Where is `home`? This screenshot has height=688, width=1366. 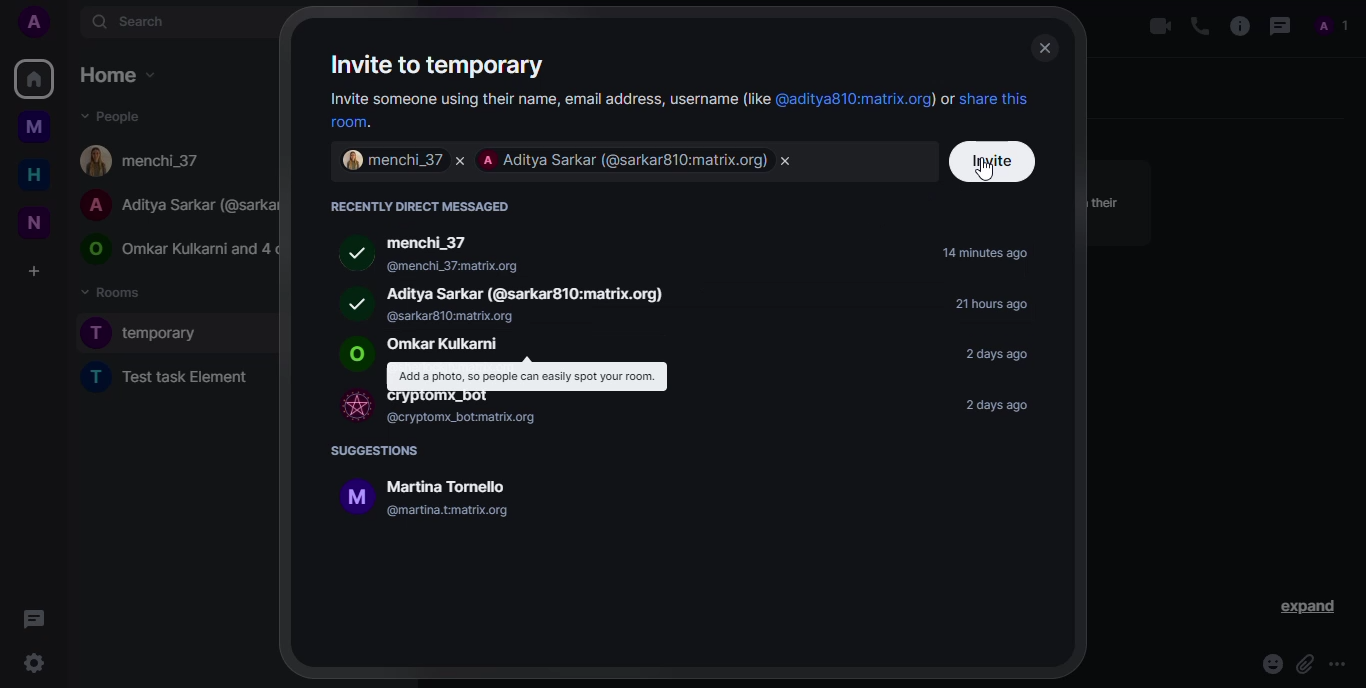 home is located at coordinates (28, 175).